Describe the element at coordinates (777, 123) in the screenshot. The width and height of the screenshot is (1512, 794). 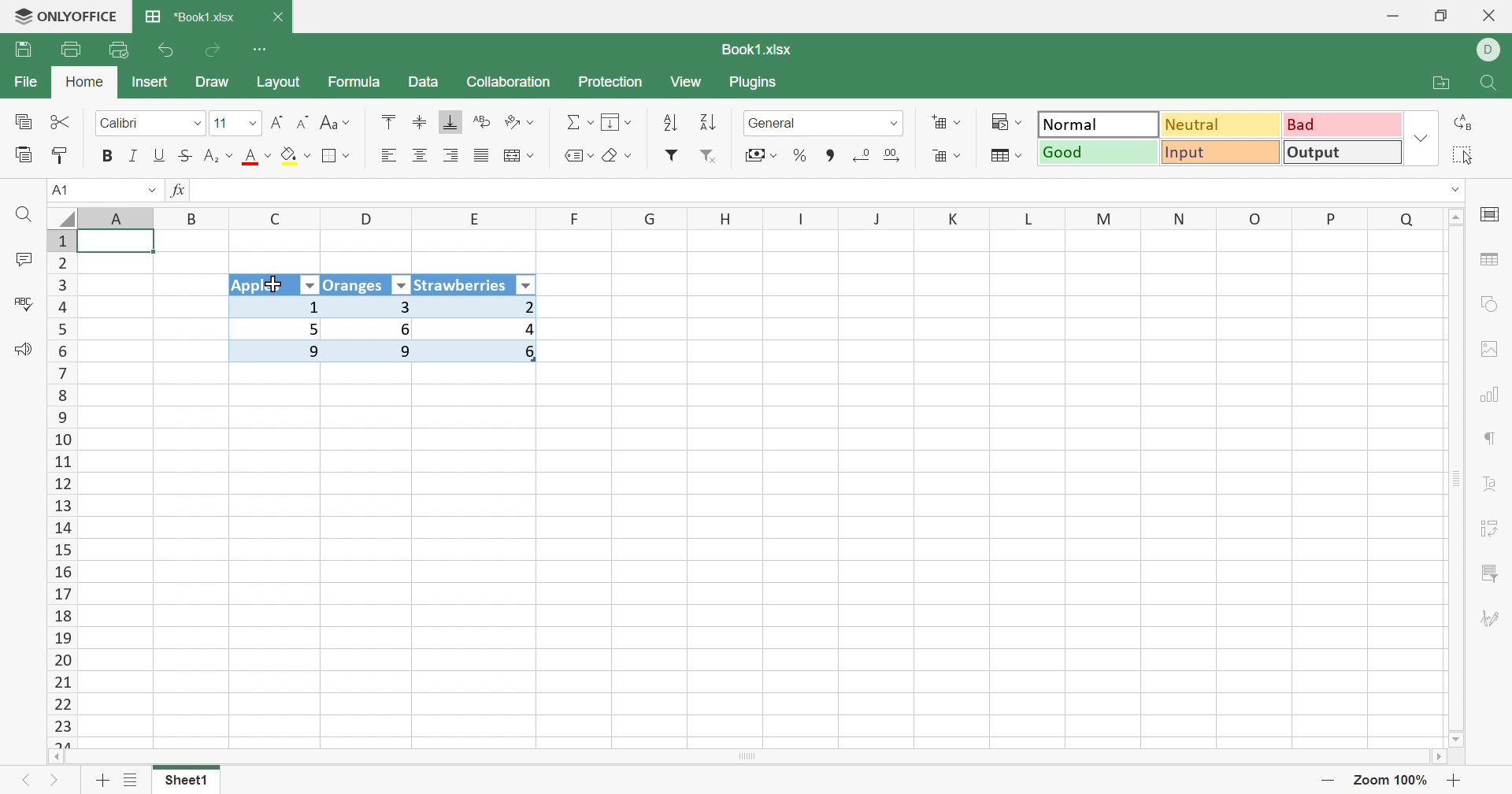
I see `General` at that location.